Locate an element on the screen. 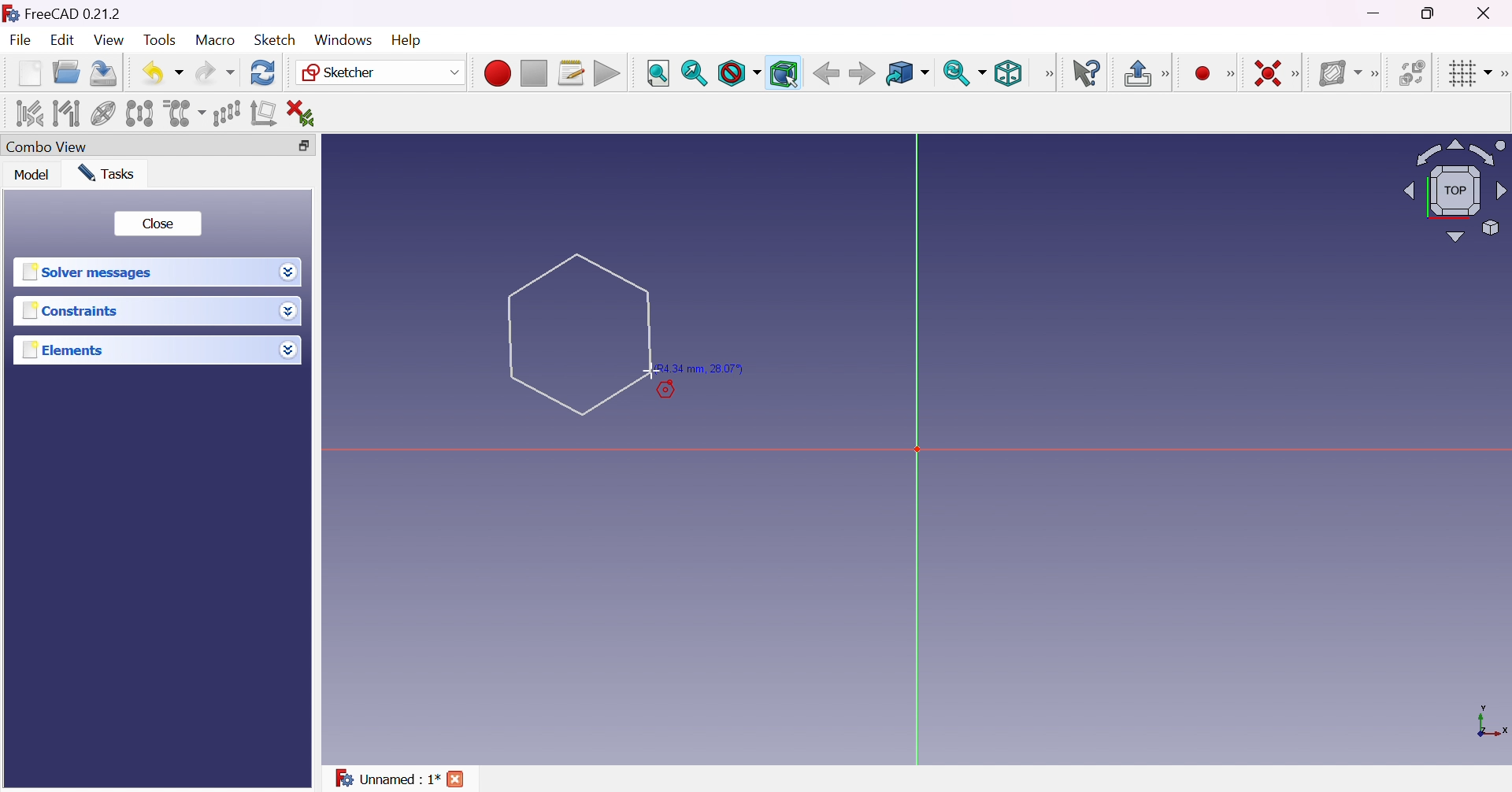 Image resolution: width=1512 pixels, height=792 pixels. Unnamed : 1* is located at coordinates (387, 779).